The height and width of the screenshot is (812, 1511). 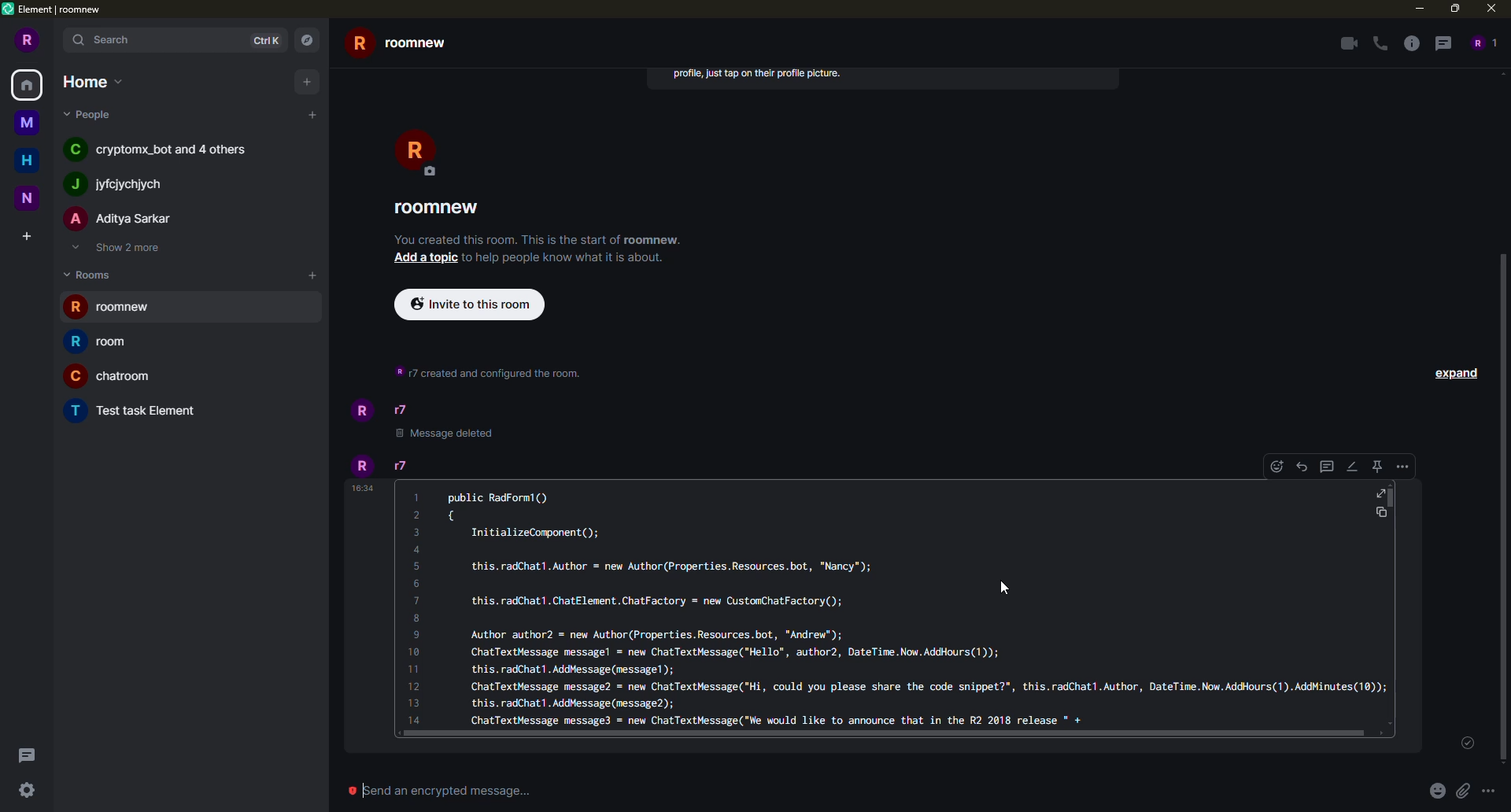 What do you see at coordinates (885, 605) in the screenshot?
I see `code` at bounding box center [885, 605].